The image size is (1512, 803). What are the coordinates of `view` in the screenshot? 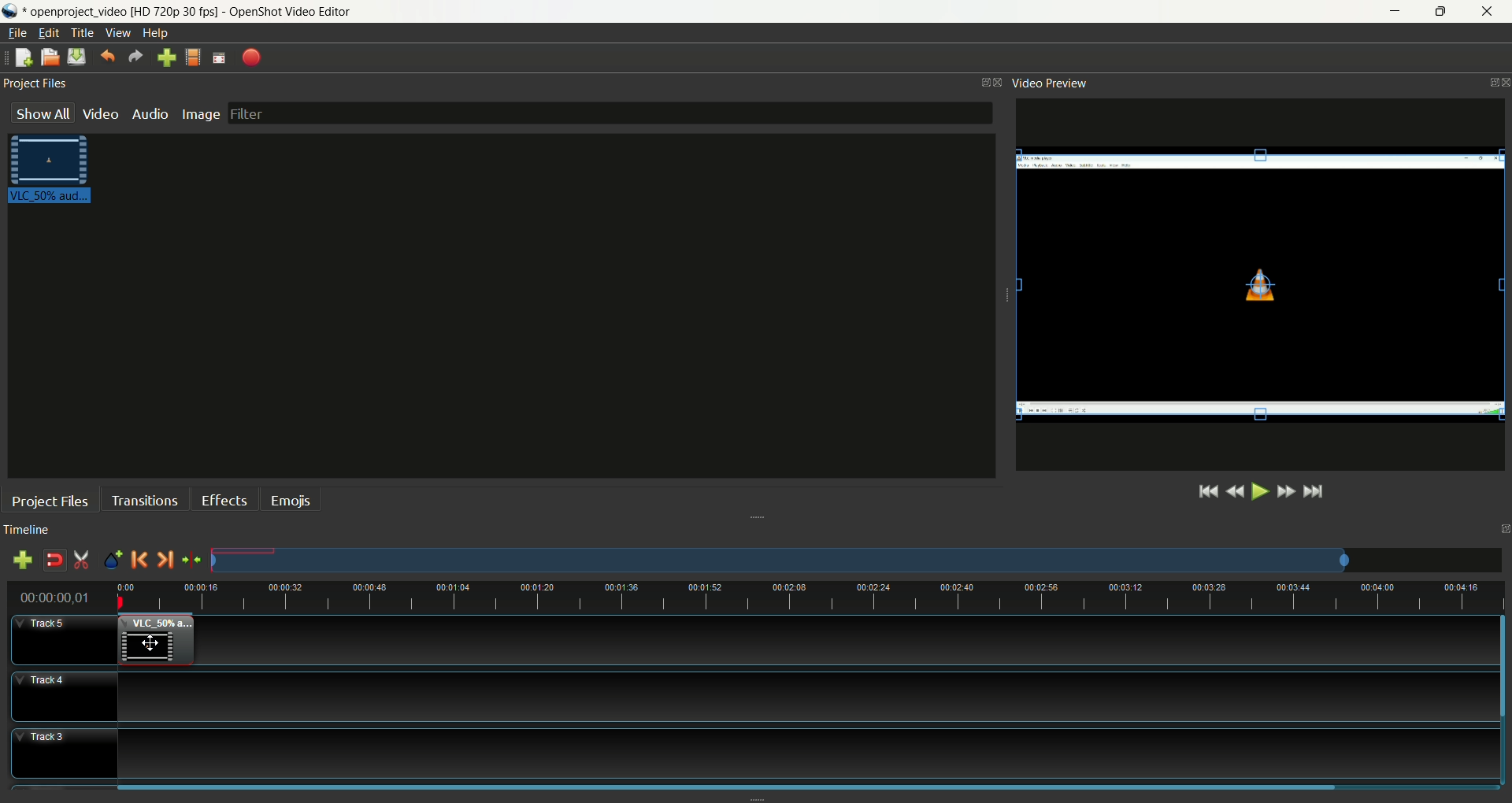 It's located at (121, 31).